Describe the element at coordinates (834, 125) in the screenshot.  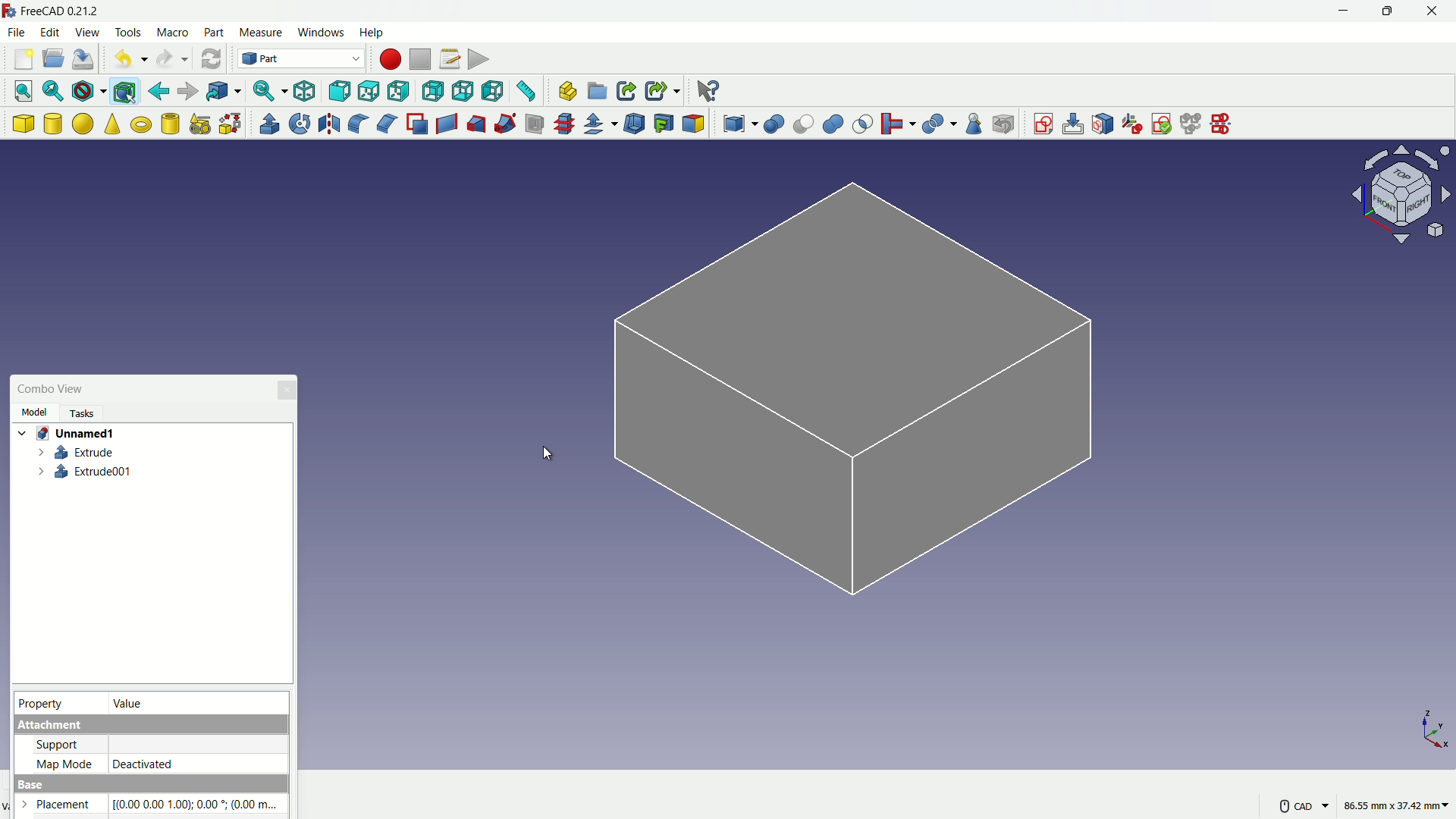
I see `union` at that location.